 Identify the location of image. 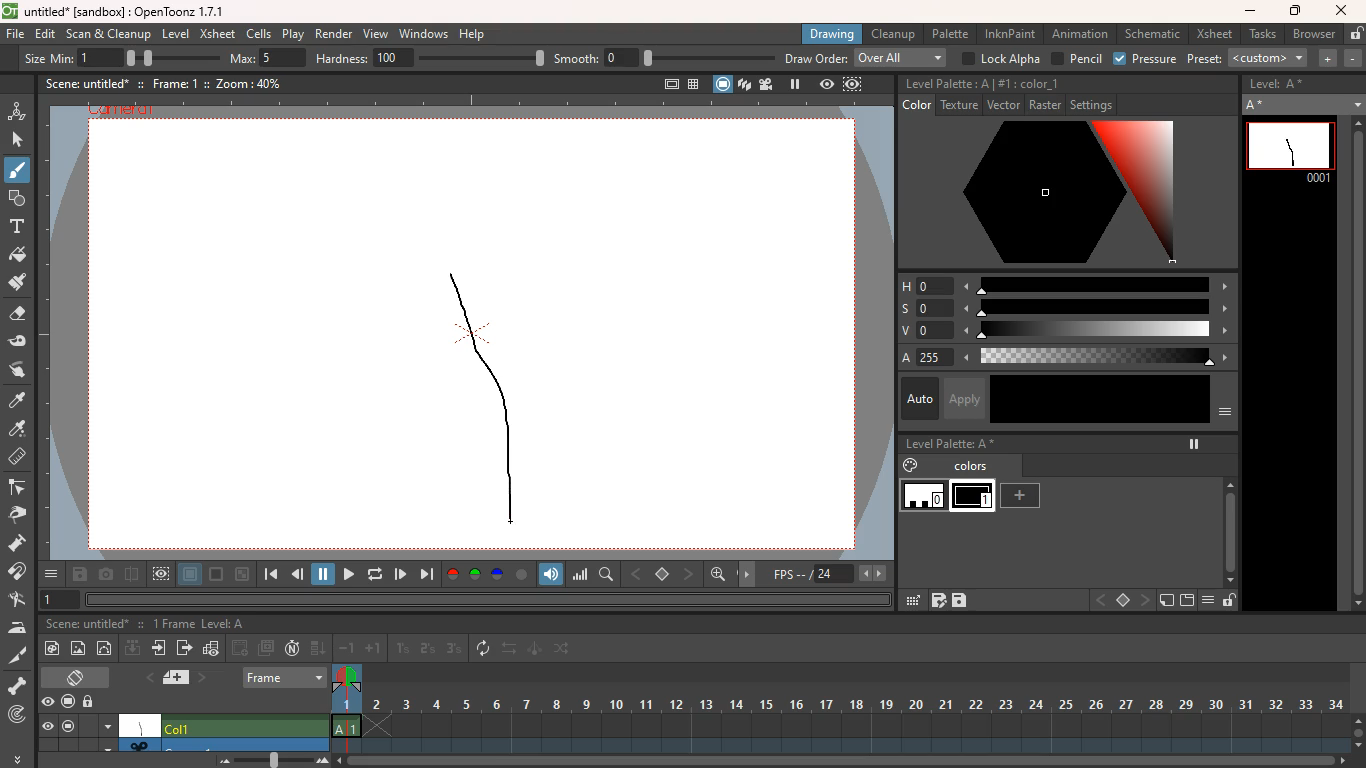
(79, 647).